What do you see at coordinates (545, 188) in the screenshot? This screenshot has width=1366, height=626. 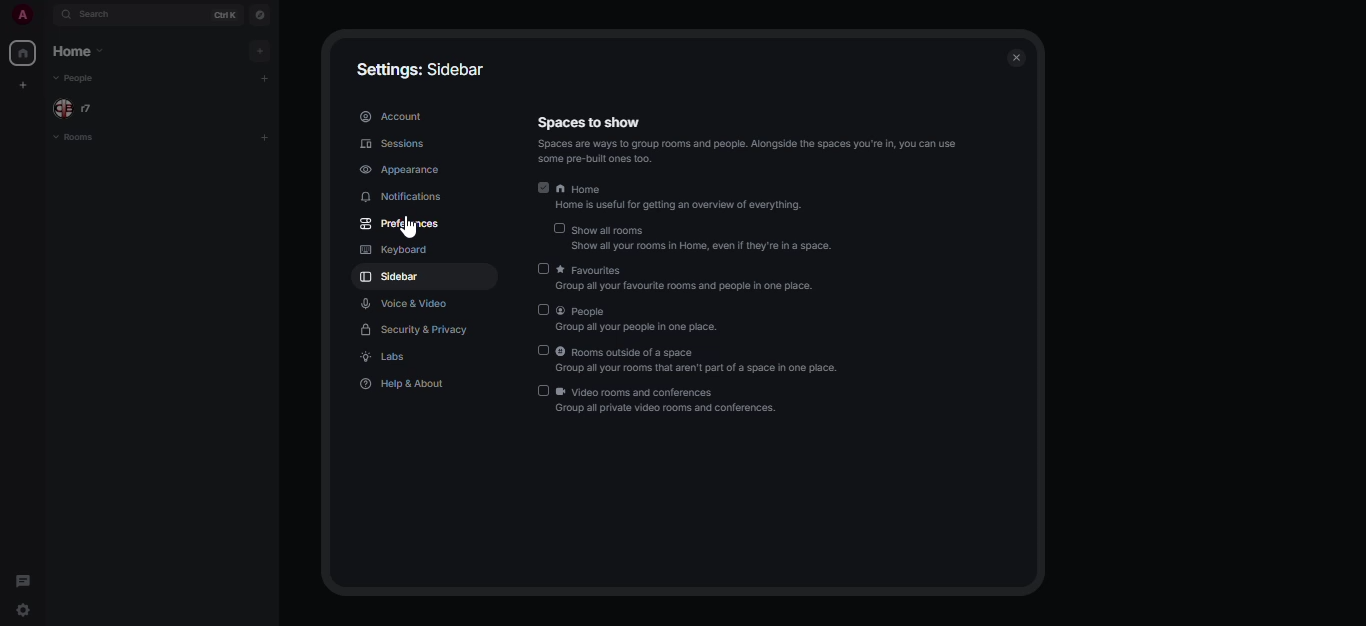 I see `enabled` at bounding box center [545, 188].